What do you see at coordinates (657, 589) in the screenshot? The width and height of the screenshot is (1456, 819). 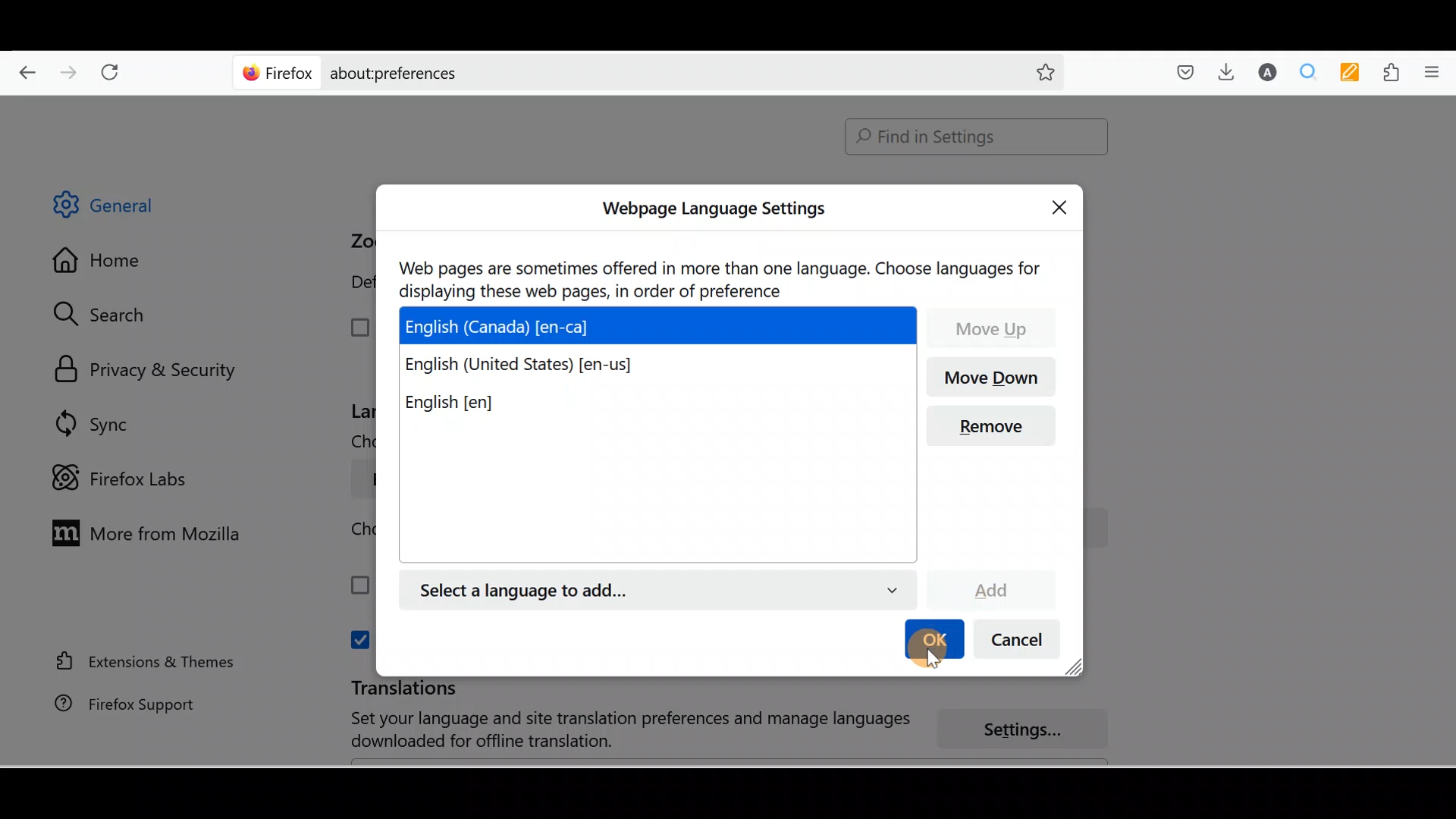 I see `English (Canada) [en-ca]` at bounding box center [657, 589].